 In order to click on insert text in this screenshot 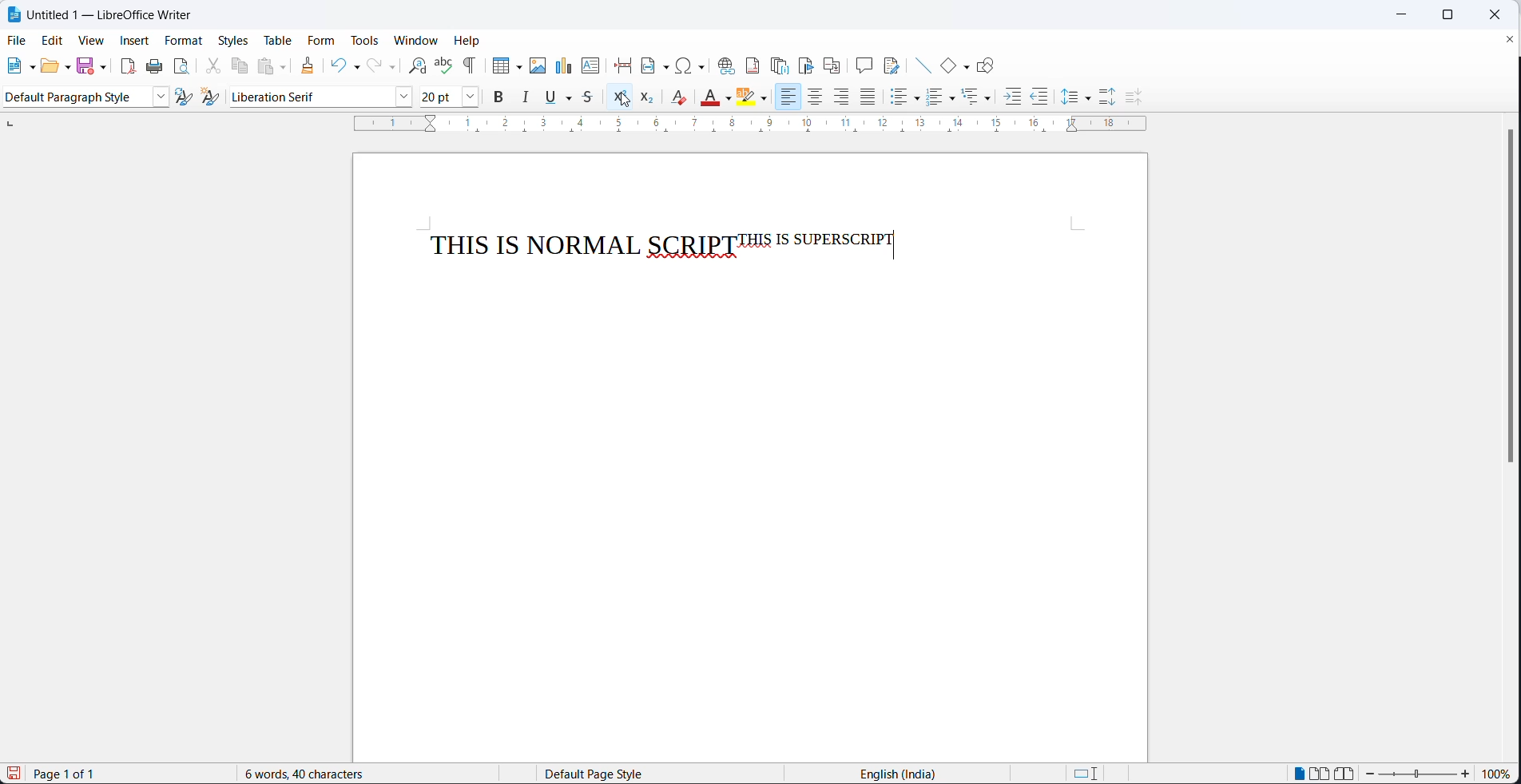, I will do `click(590, 65)`.